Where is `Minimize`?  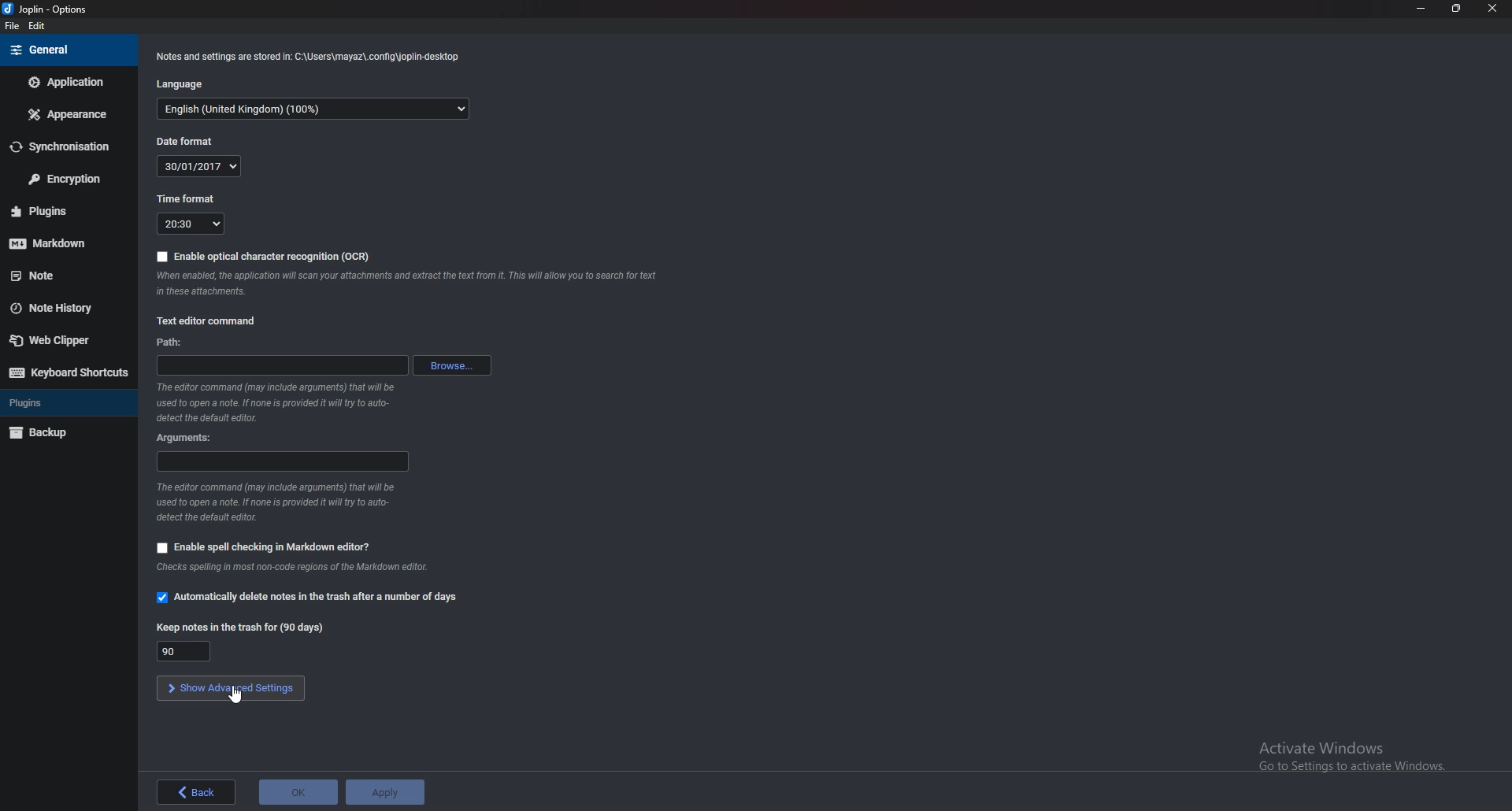 Minimize is located at coordinates (1421, 9).